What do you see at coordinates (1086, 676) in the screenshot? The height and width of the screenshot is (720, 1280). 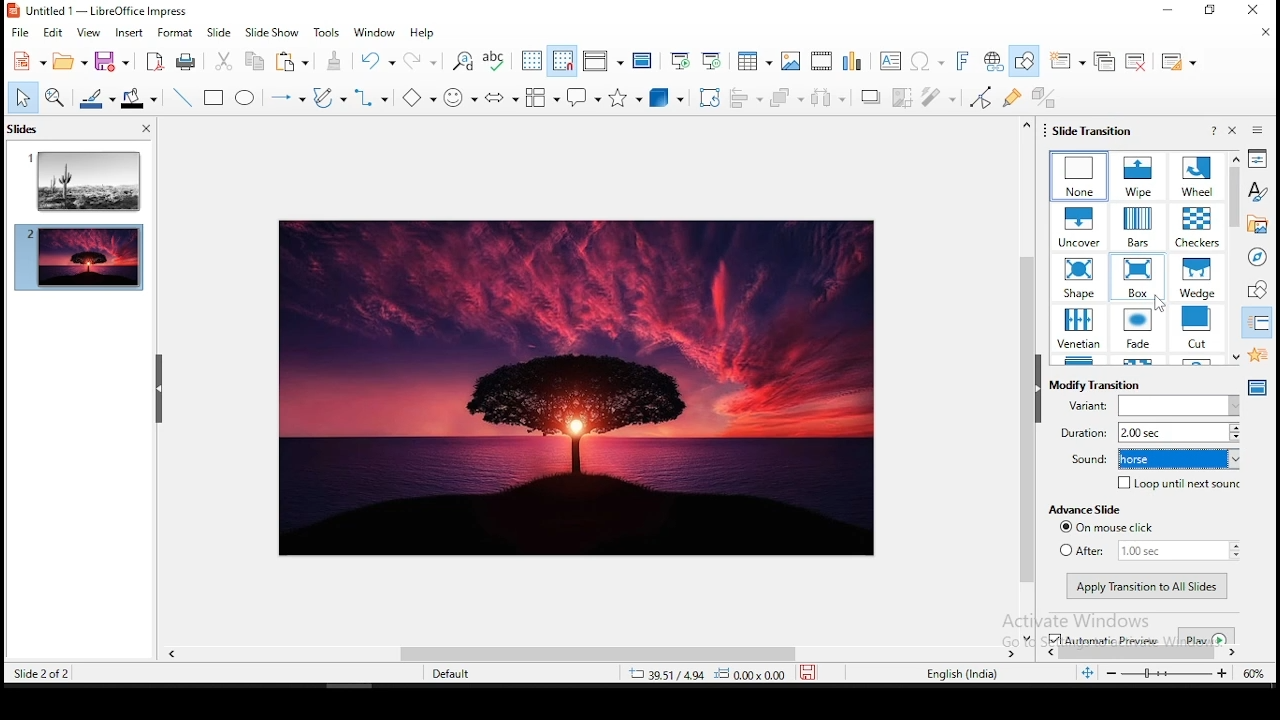 I see `fit to width` at bounding box center [1086, 676].